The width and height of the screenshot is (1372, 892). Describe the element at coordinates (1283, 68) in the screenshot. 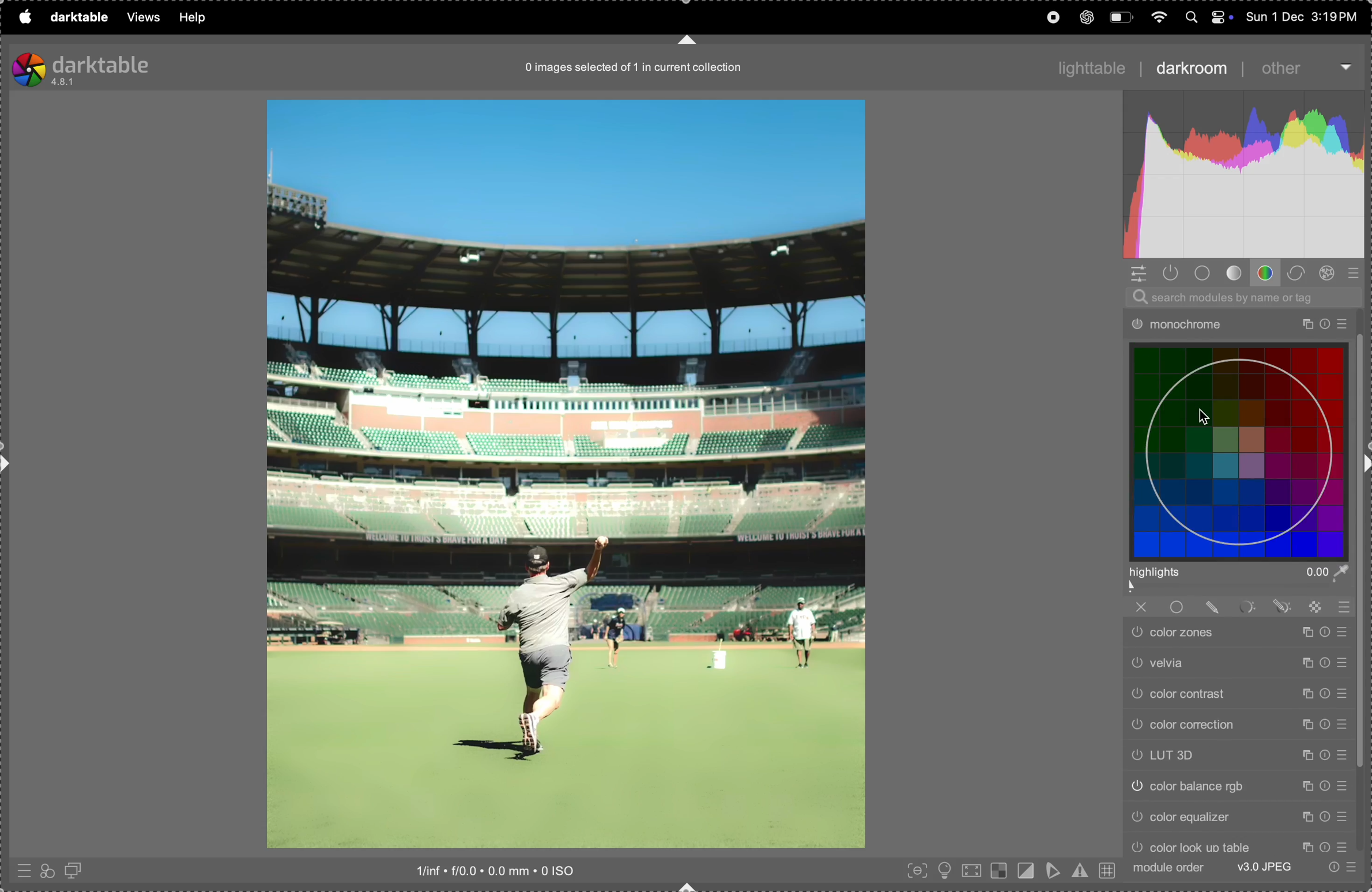

I see `other` at that location.